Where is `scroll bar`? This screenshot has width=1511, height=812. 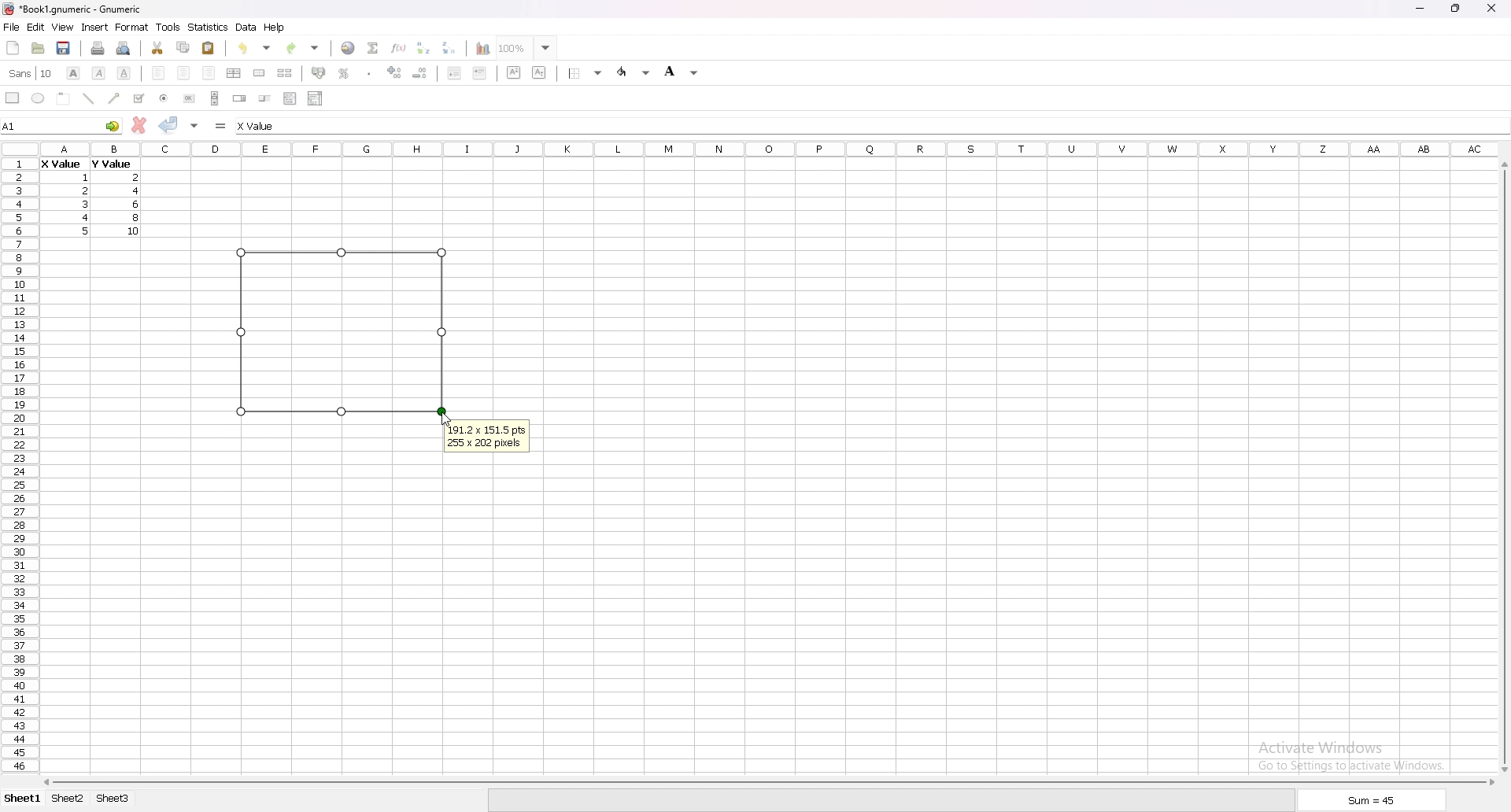 scroll bar is located at coordinates (215, 98).